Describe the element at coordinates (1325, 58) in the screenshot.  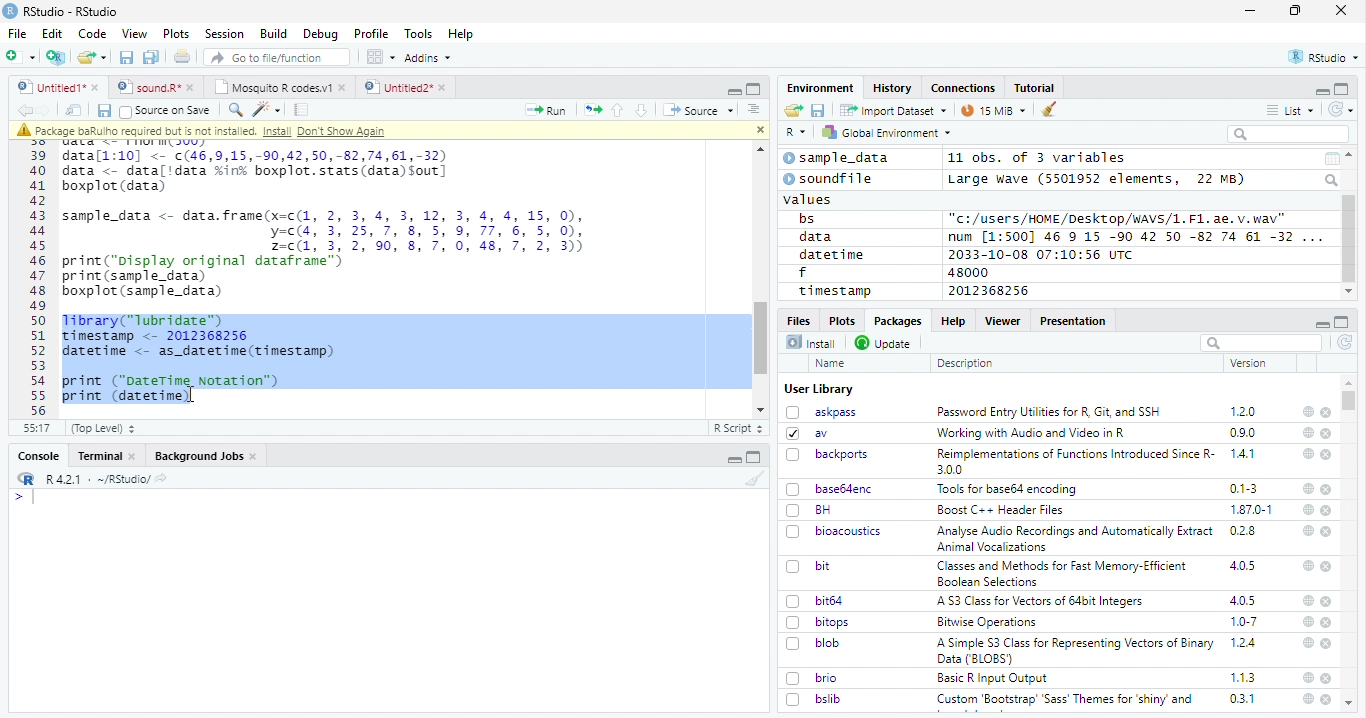
I see `RStudio` at that location.